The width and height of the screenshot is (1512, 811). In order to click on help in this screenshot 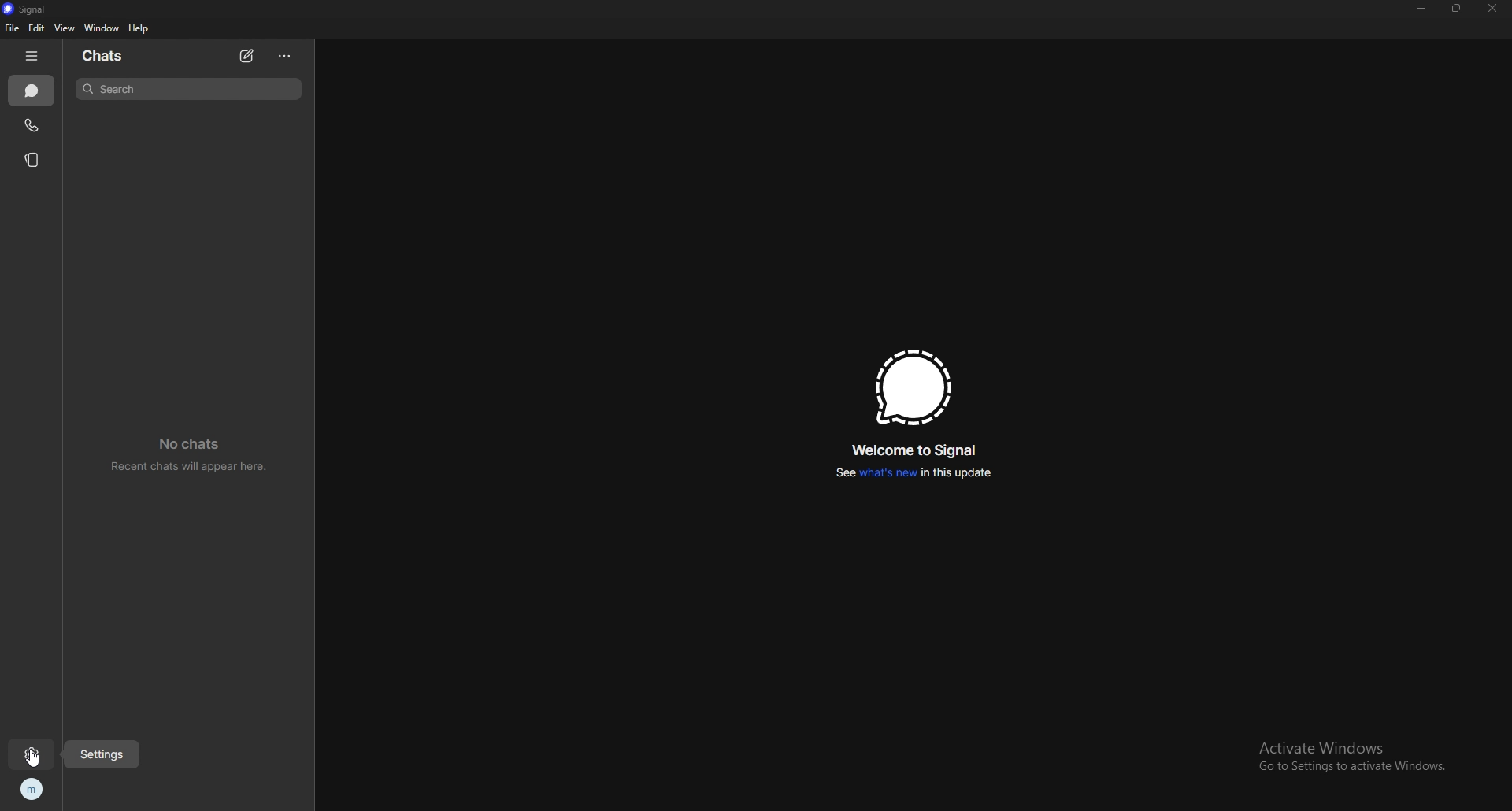, I will do `click(140, 29)`.